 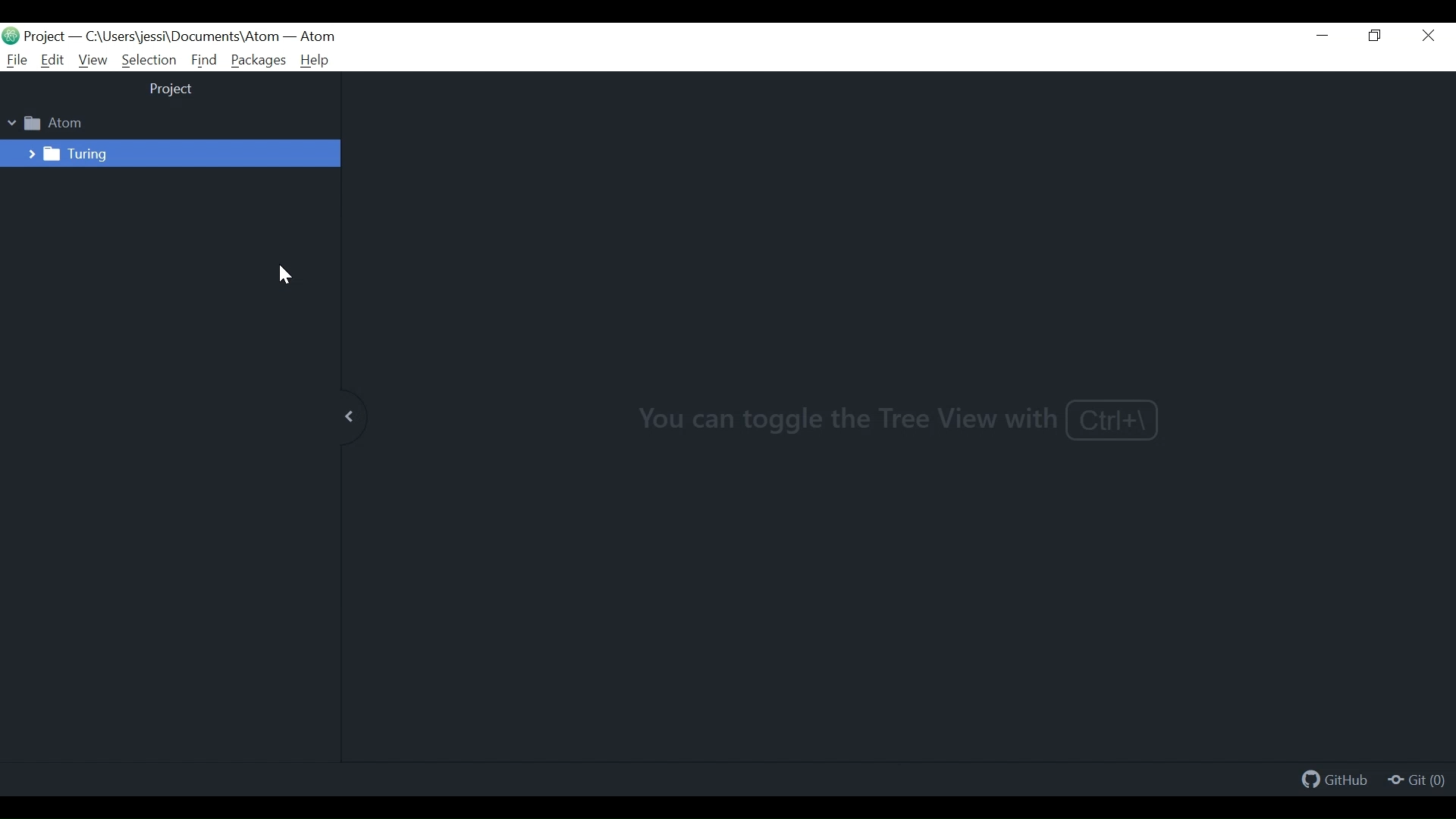 What do you see at coordinates (172, 90) in the screenshot?
I see `project` at bounding box center [172, 90].